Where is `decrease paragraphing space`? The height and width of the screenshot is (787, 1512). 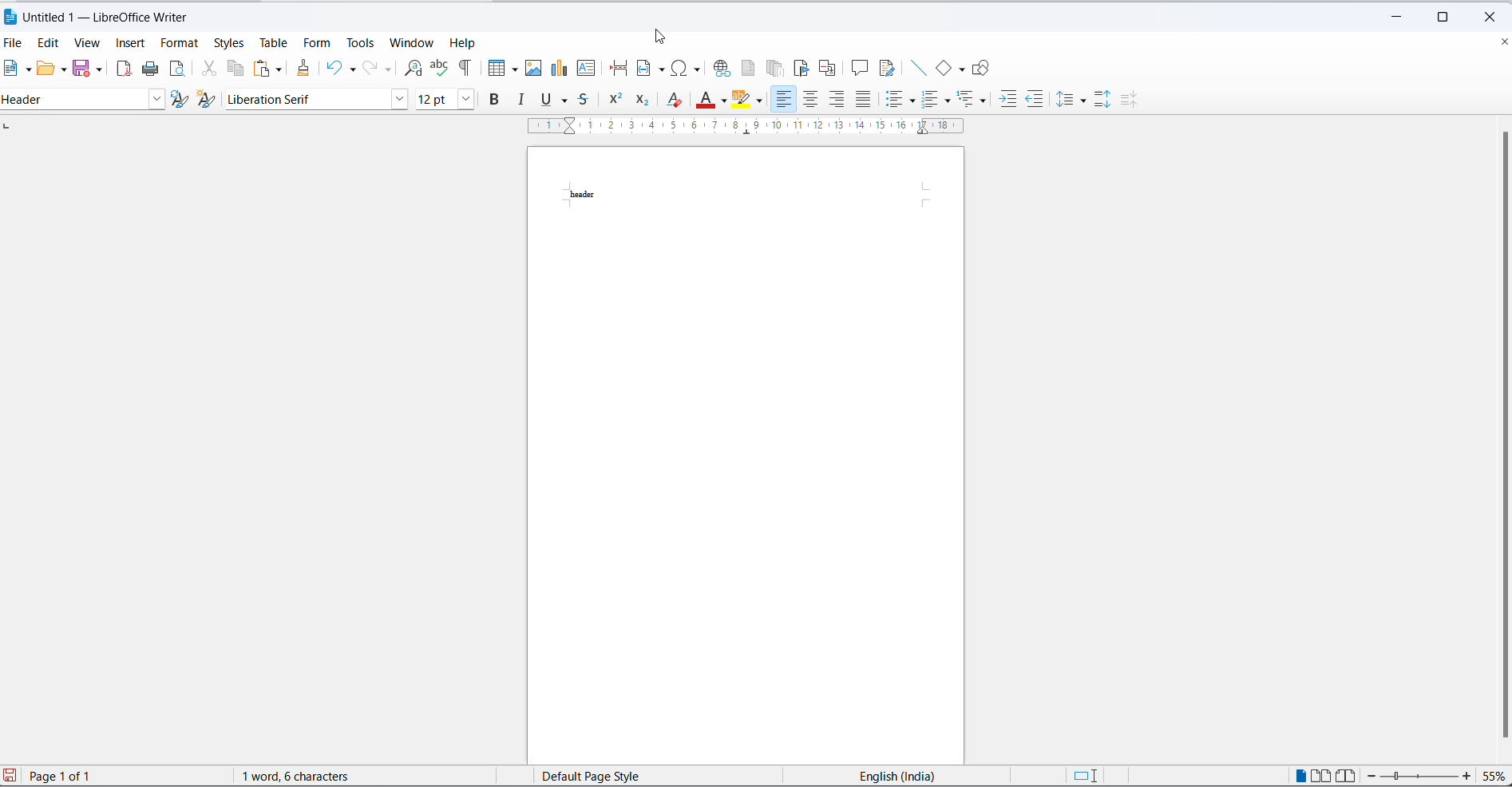 decrease paragraphing space is located at coordinates (1134, 102).